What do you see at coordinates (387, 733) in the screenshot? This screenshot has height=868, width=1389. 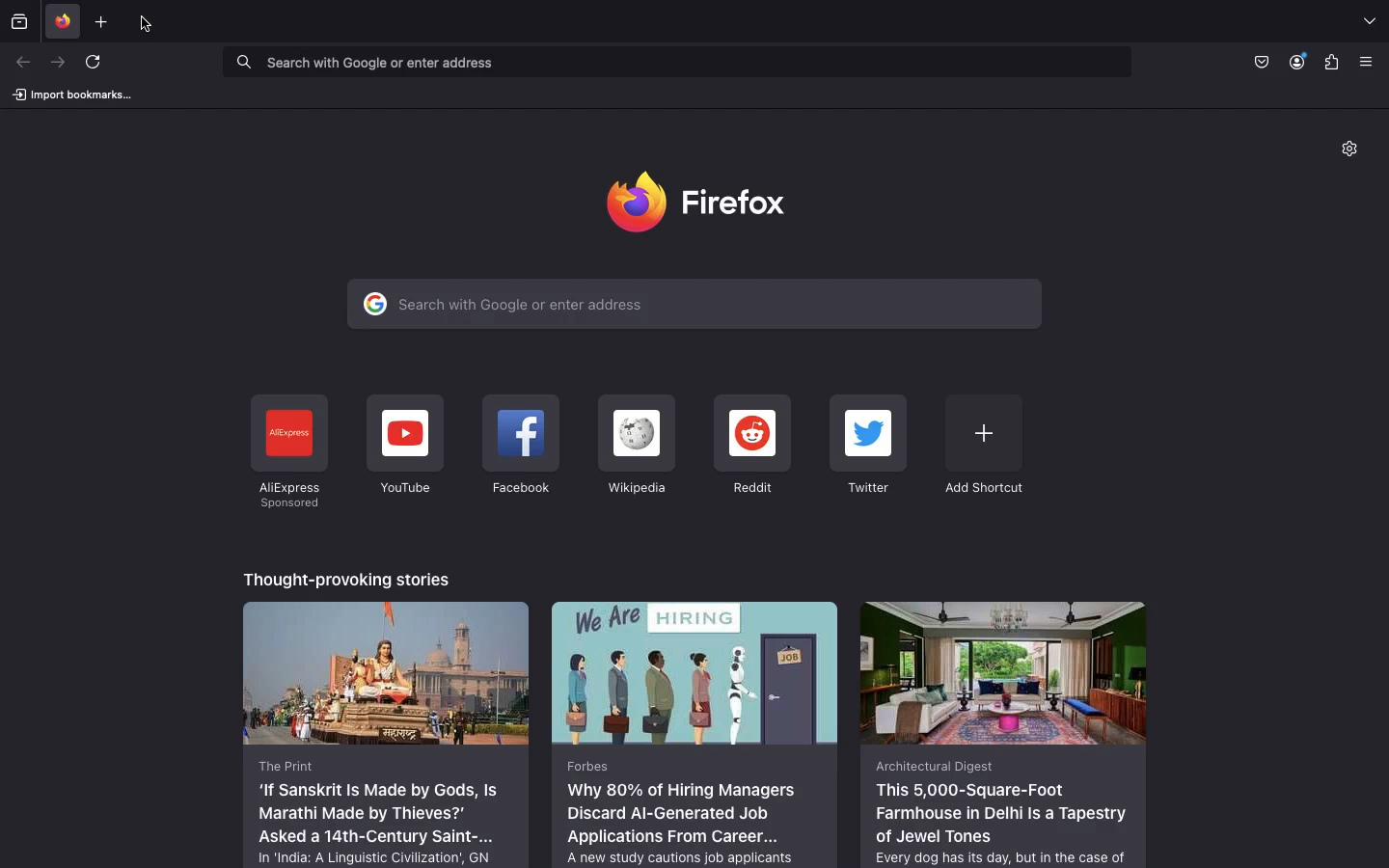 I see `The Print

‘If Sanskrit Is Made by Gods, Is
Marathi Made by Thieves?"
Asked a 14th-Century Saint-...
In ‘India: A Linguistic Civilization’, GN` at bounding box center [387, 733].